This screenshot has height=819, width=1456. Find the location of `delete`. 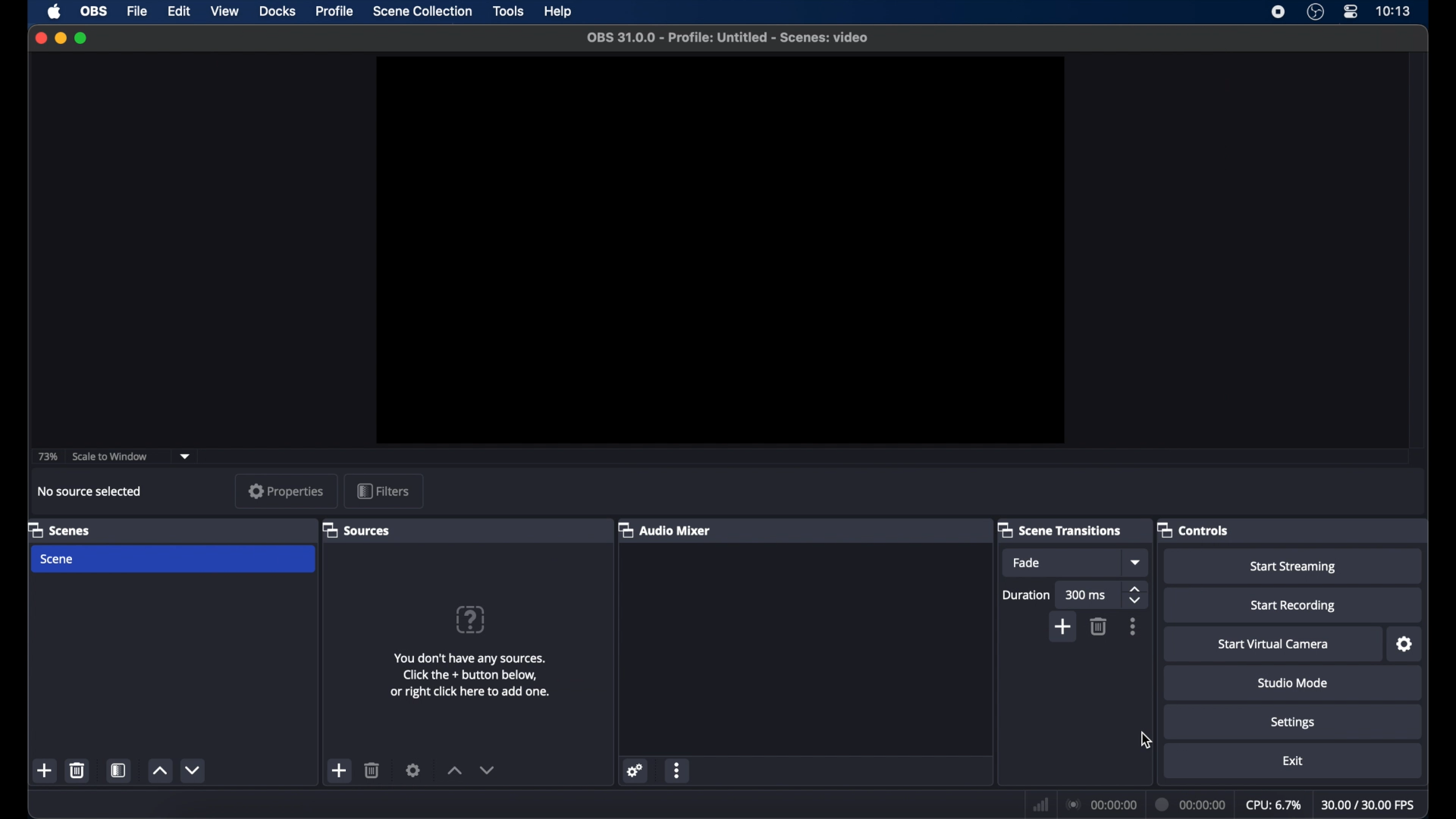

delete is located at coordinates (1098, 626).